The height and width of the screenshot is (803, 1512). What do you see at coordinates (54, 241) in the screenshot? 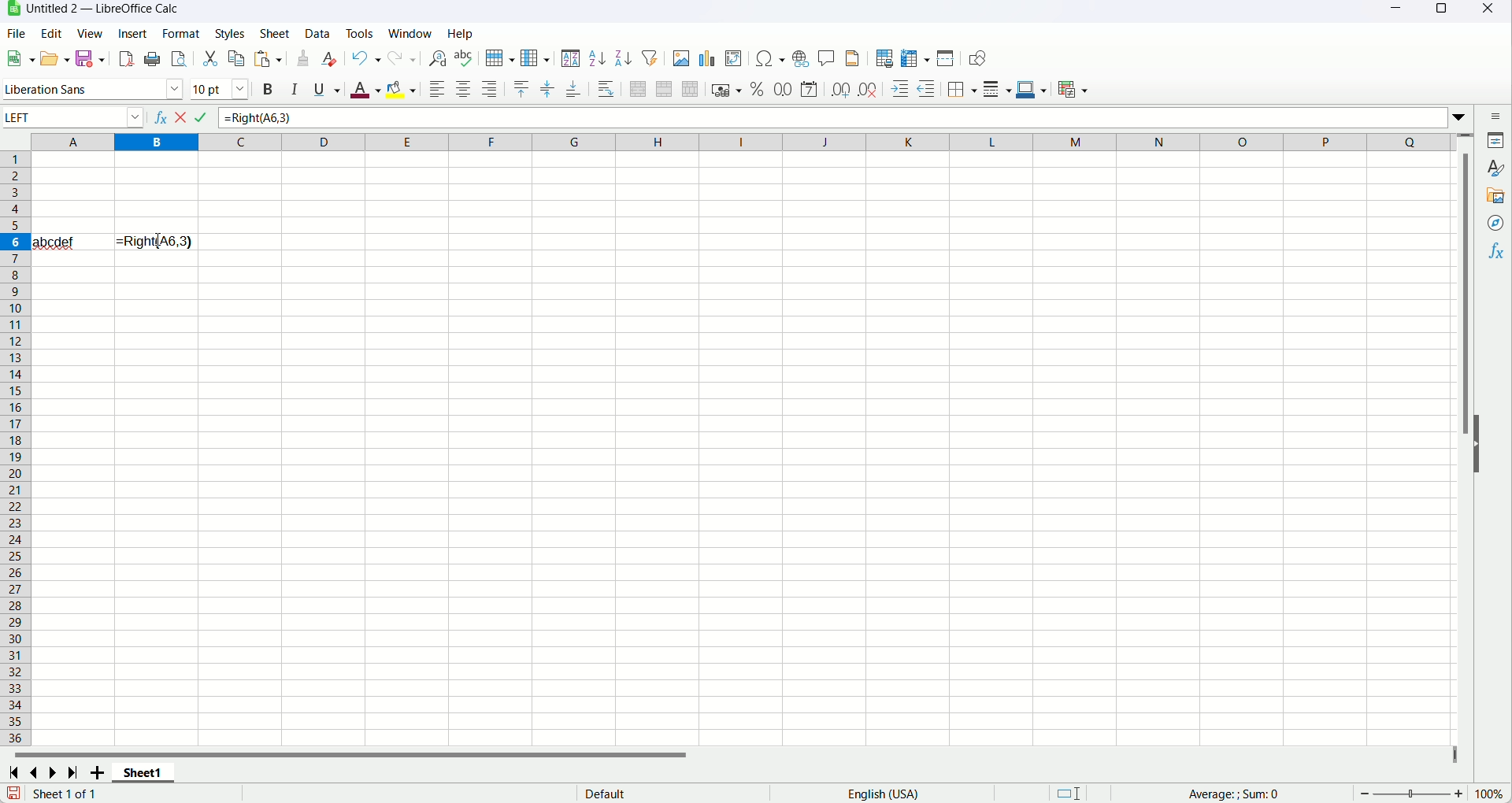
I see `abcdef` at bounding box center [54, 241].